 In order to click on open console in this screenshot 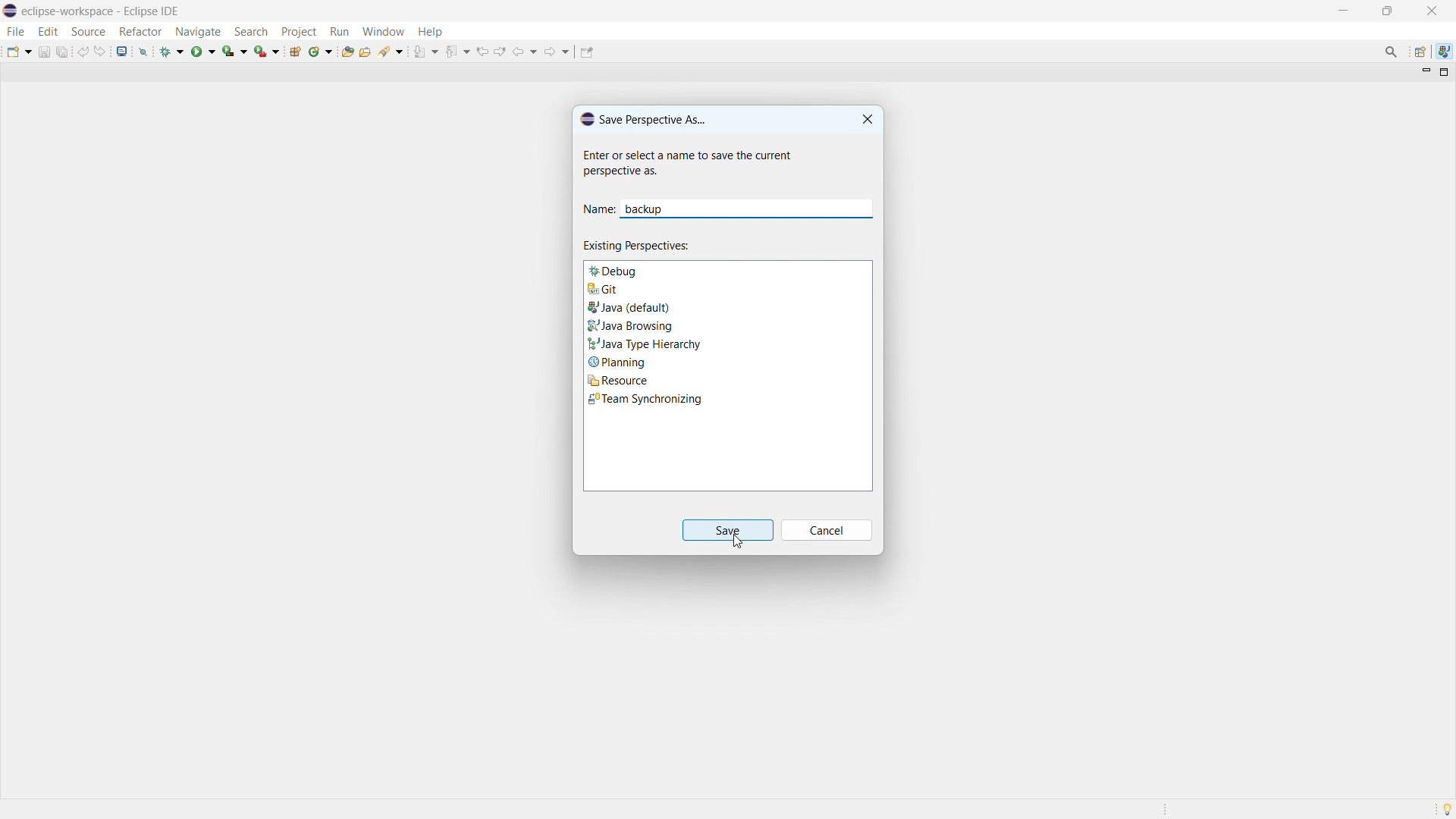, I will do `click(122, 51)`.